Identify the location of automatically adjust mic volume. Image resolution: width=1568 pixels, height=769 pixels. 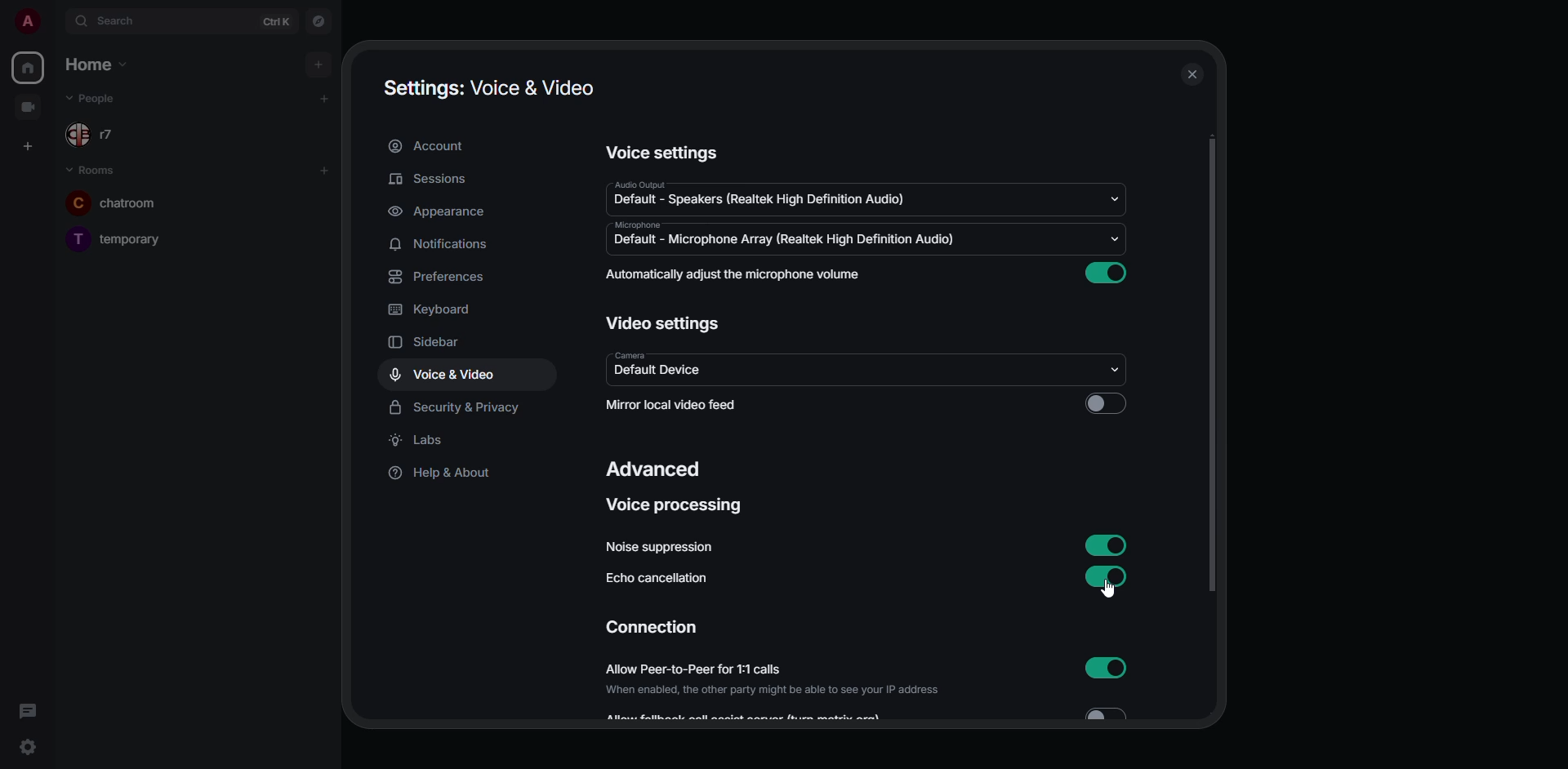
(736, 274).